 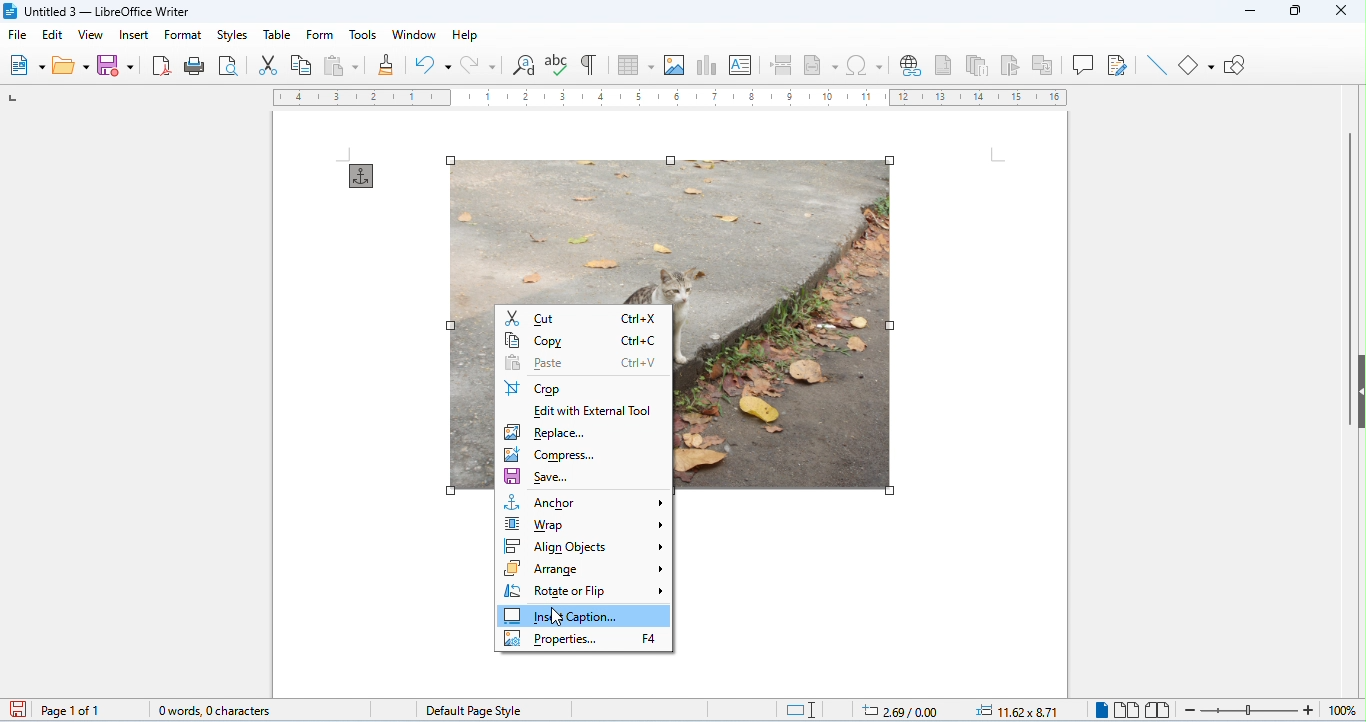 What do you see at coordinates (590, 64) in the screenshot?
I see `toggle formatting marks` at bounding box center [590, 64].